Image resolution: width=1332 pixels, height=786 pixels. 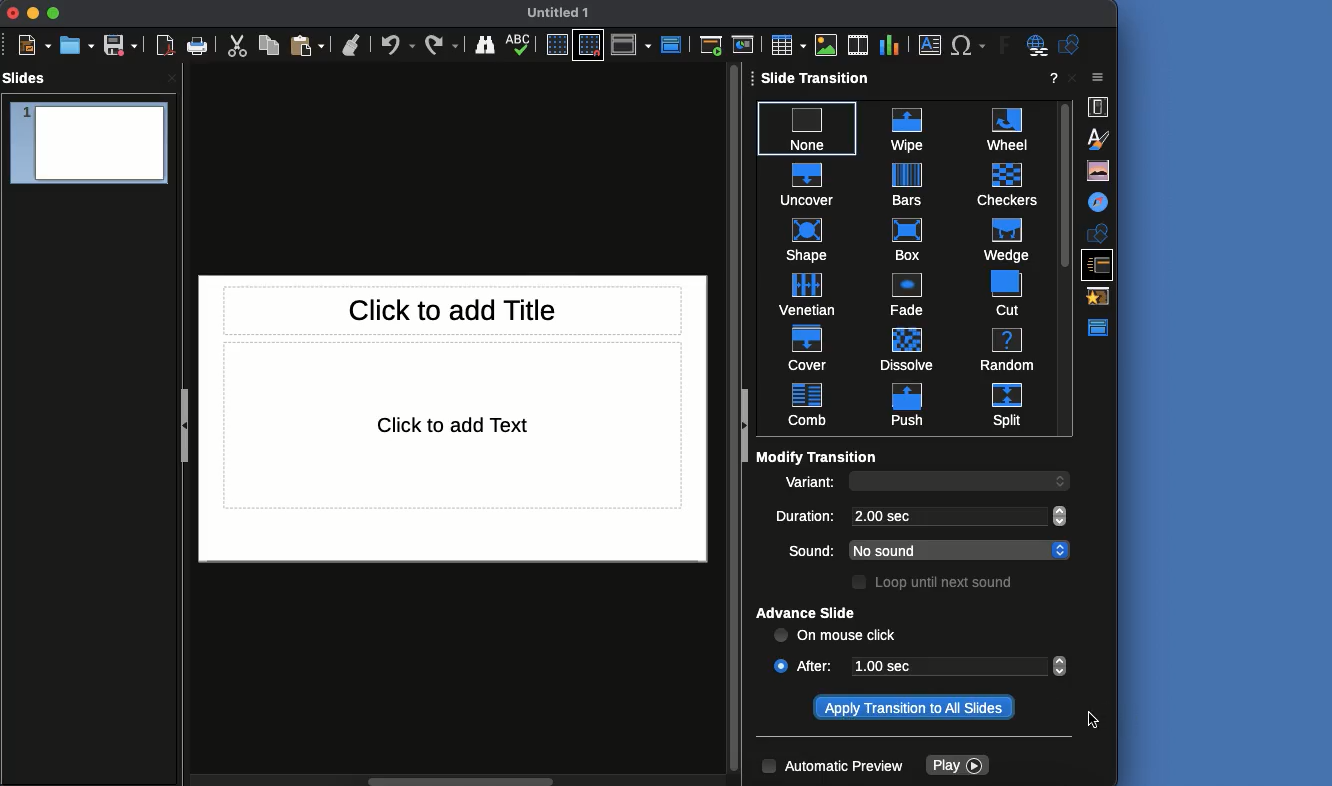 What do you see at coordinates (16, 13) in the screenshot?
I see `Close` at bounding box center [16, 13].